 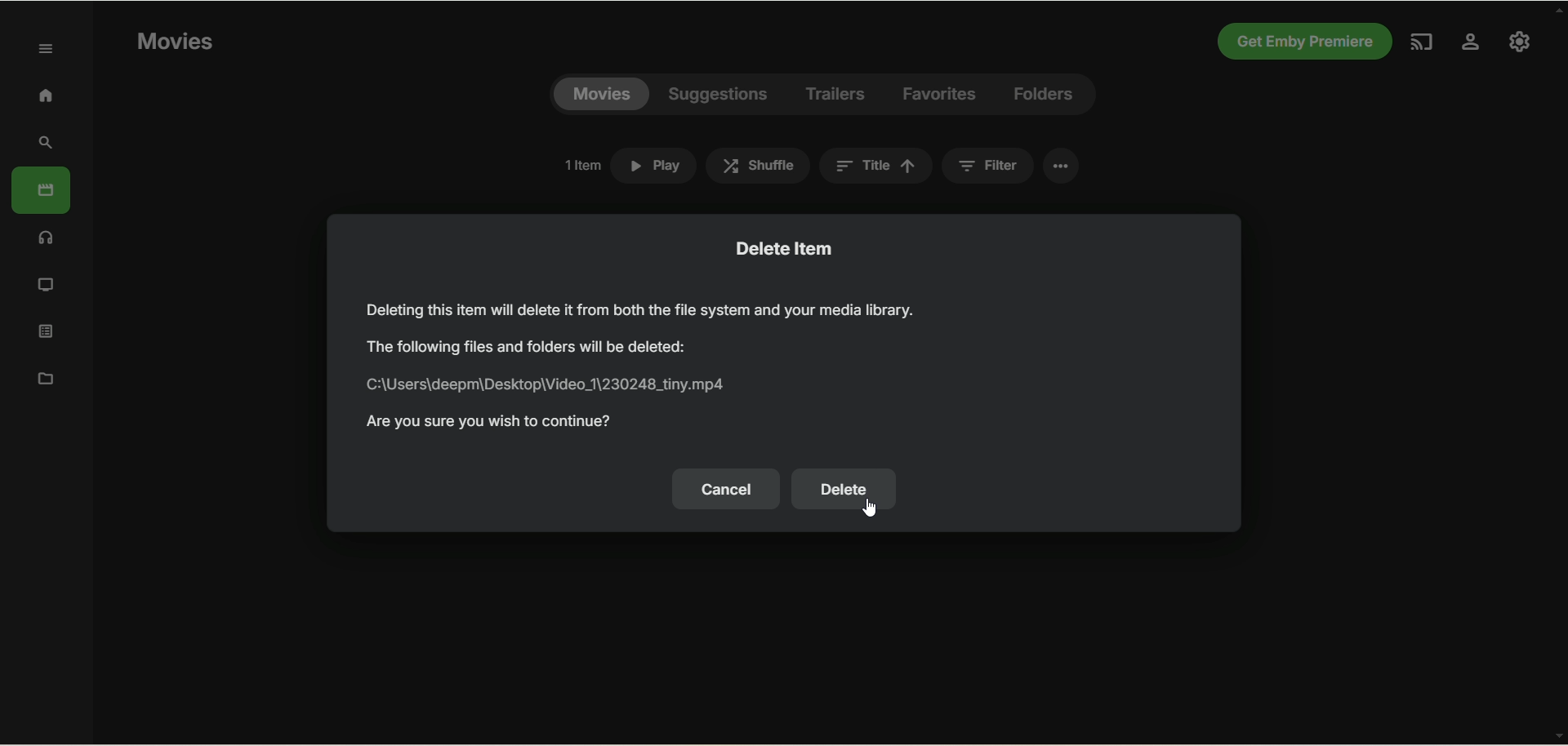 What do you see at coordinates (1423, 42) in the screenshot?
I see `play on another device` at bounding box center [1423, 42].